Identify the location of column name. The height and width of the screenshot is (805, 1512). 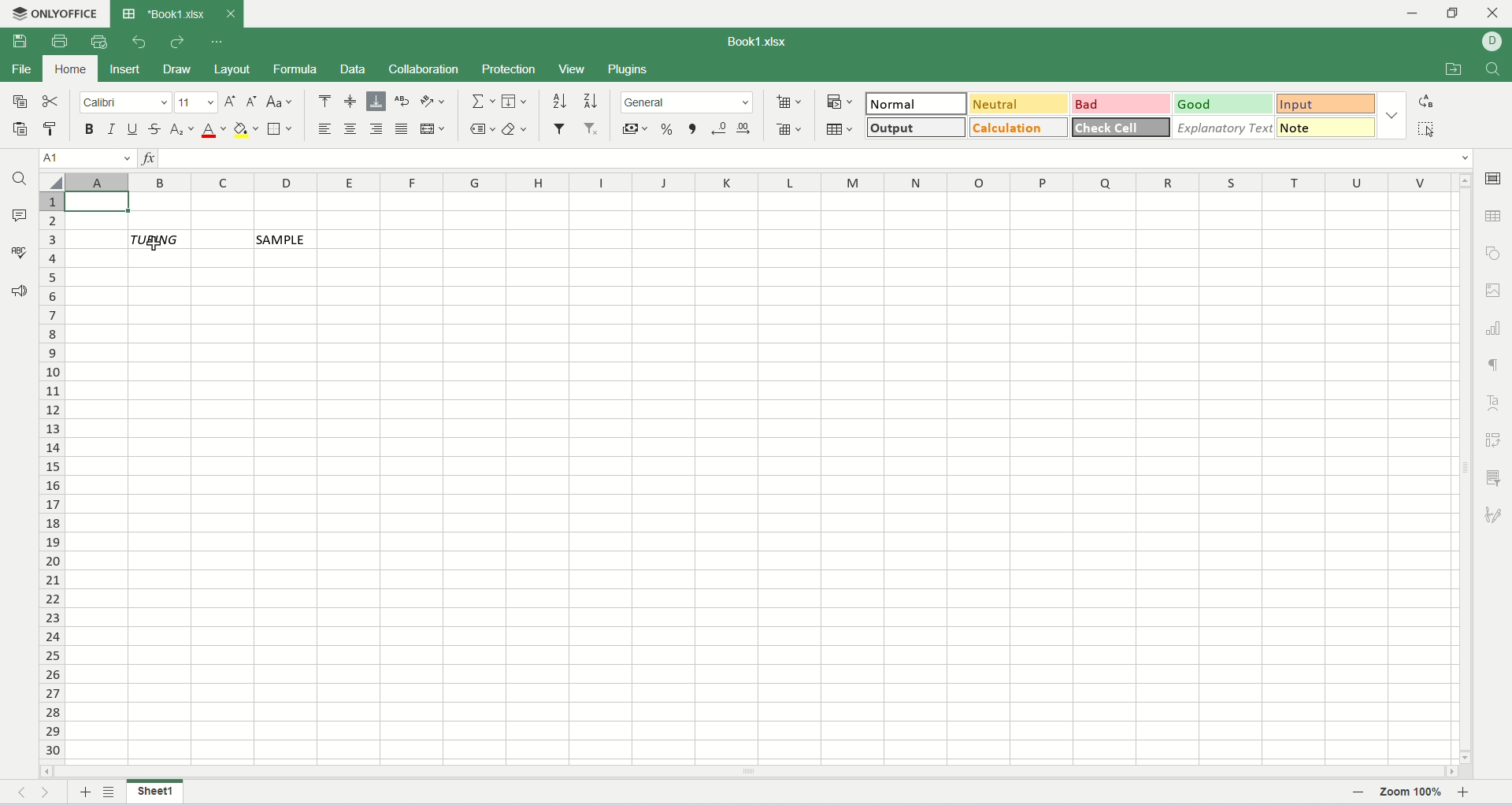
(764, 184).